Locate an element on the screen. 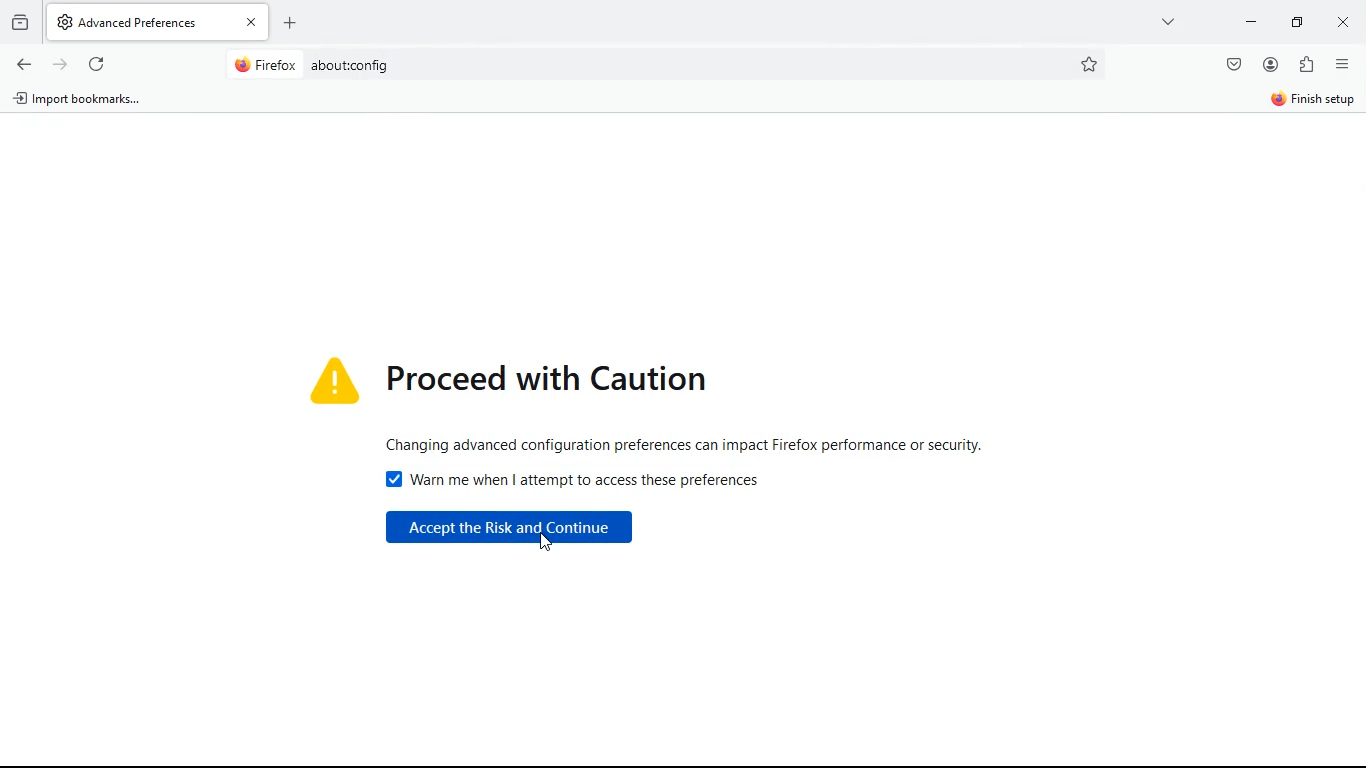  about:config is located at coordinates (348, 65).